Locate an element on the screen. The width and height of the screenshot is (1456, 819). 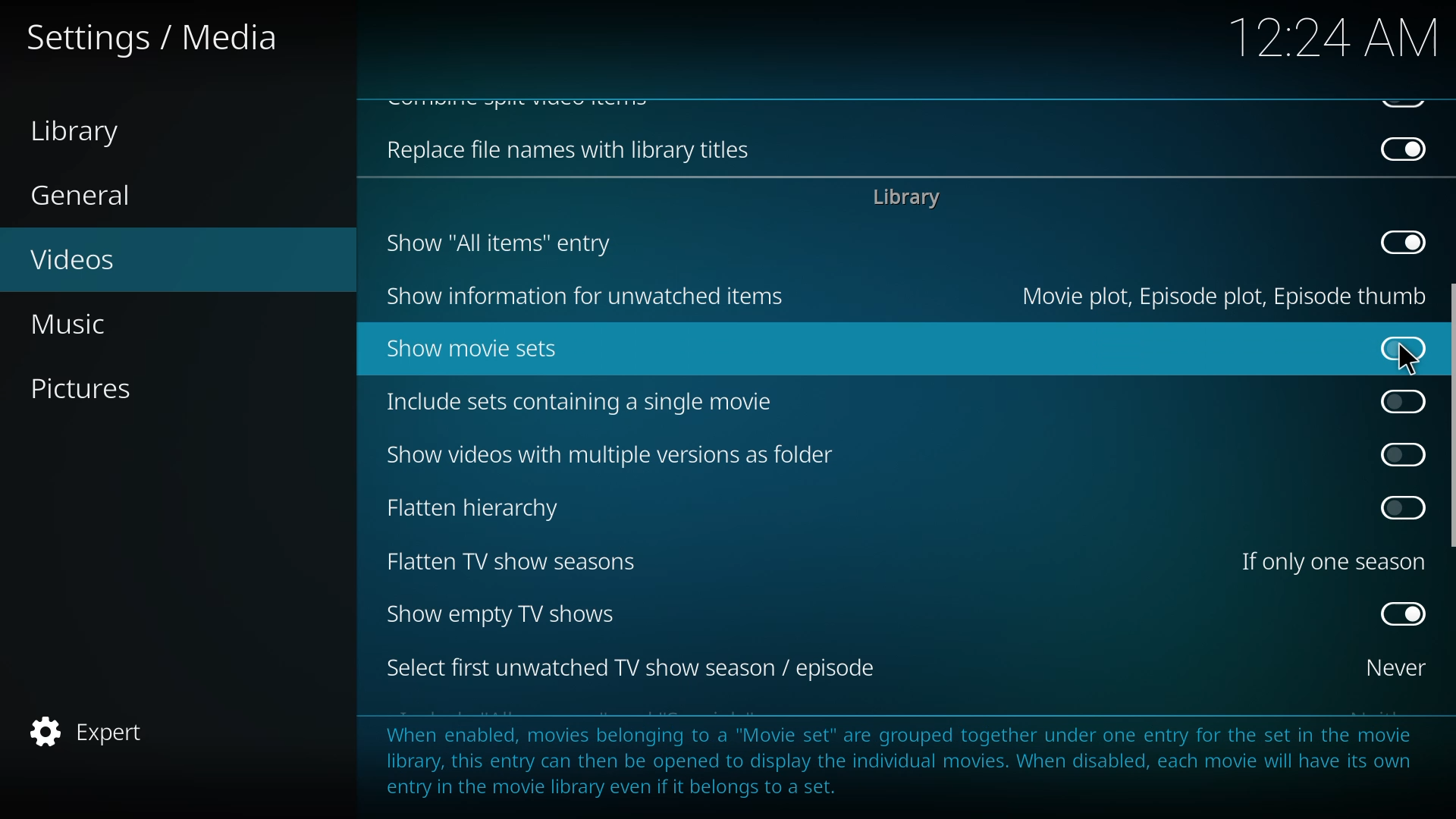
flatten hierarchy is located at coordinates (475, 507).